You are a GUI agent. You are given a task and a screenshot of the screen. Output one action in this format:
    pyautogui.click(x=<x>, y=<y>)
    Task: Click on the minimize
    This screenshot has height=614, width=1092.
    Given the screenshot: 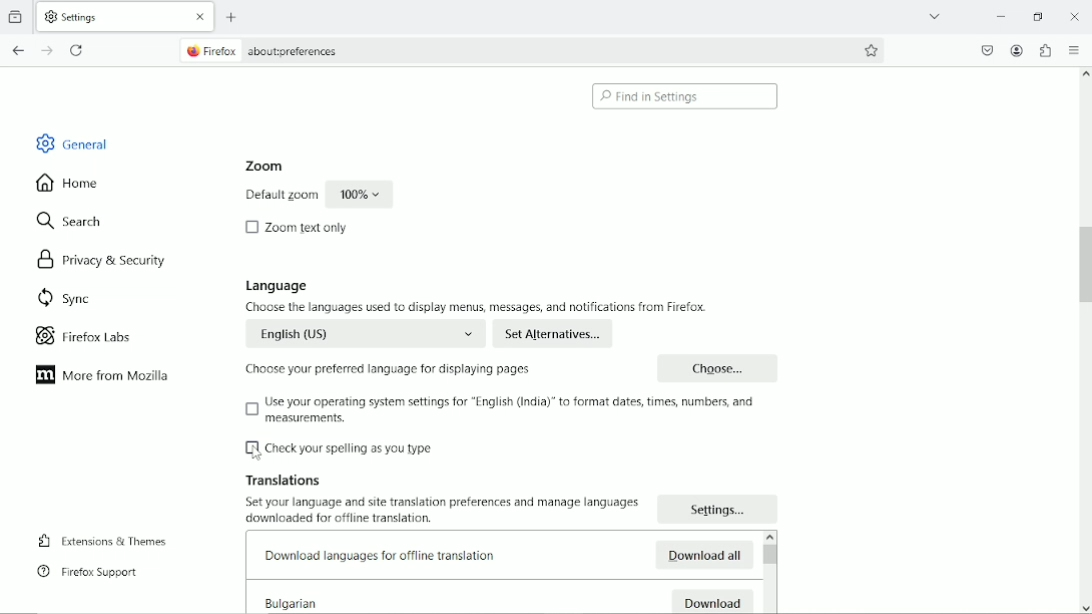 What is the action you would take?
    pyautogui.click(x=1001, y=17)
    